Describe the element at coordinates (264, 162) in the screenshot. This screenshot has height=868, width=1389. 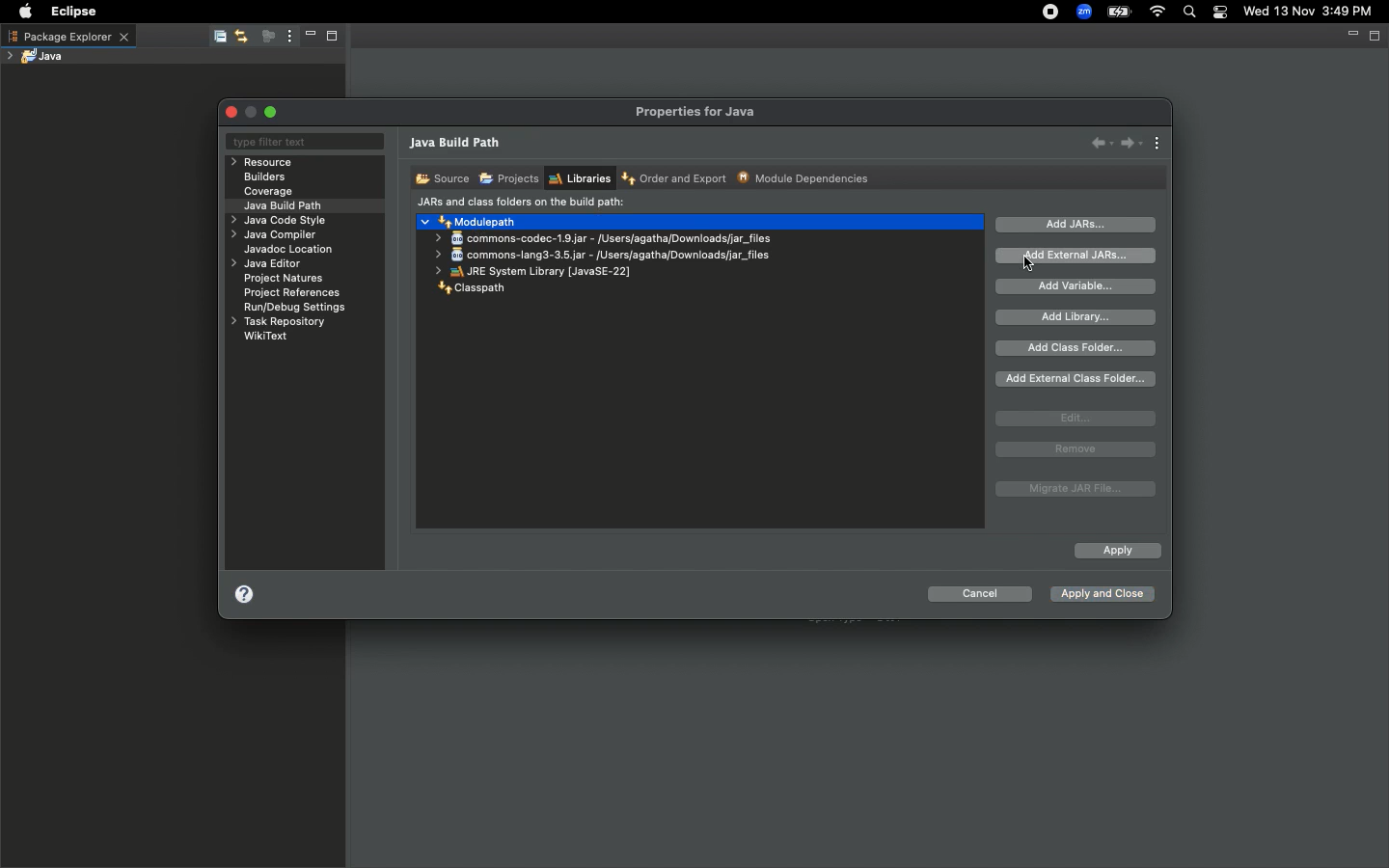
I see `Resource` at that location.